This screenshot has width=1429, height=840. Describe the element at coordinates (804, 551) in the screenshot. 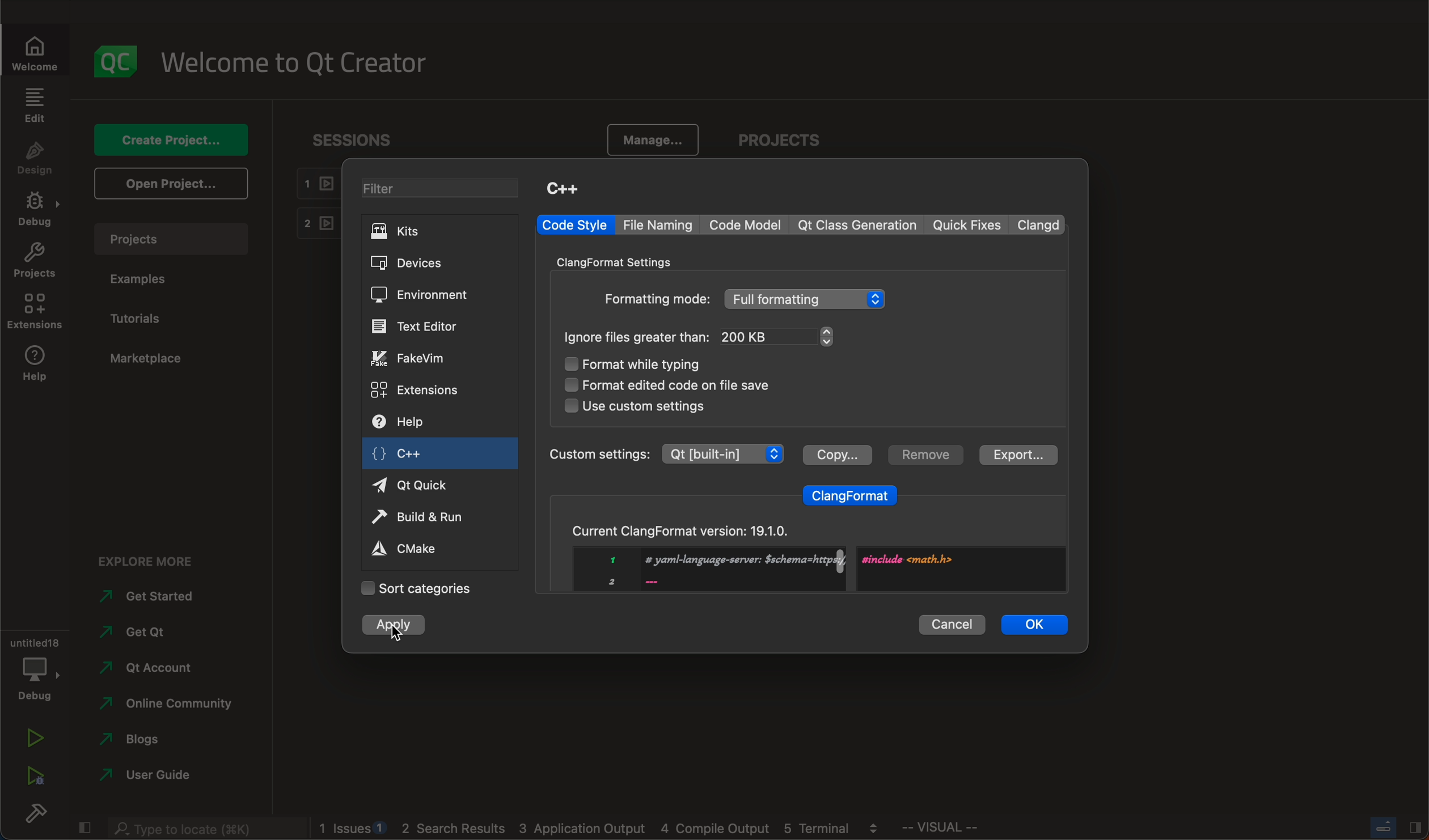

I see `current format version` at that location.